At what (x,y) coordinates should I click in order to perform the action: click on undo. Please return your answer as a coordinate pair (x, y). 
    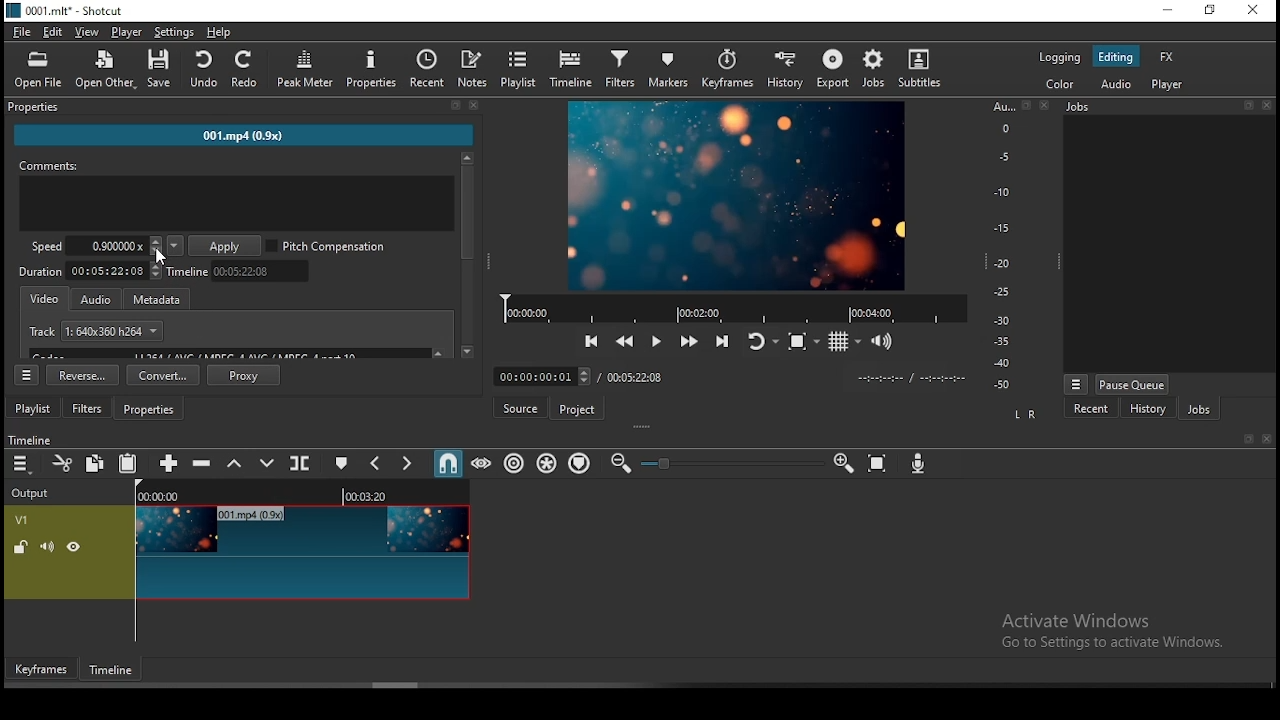
    Looking at the image, I should click on (205, 70).